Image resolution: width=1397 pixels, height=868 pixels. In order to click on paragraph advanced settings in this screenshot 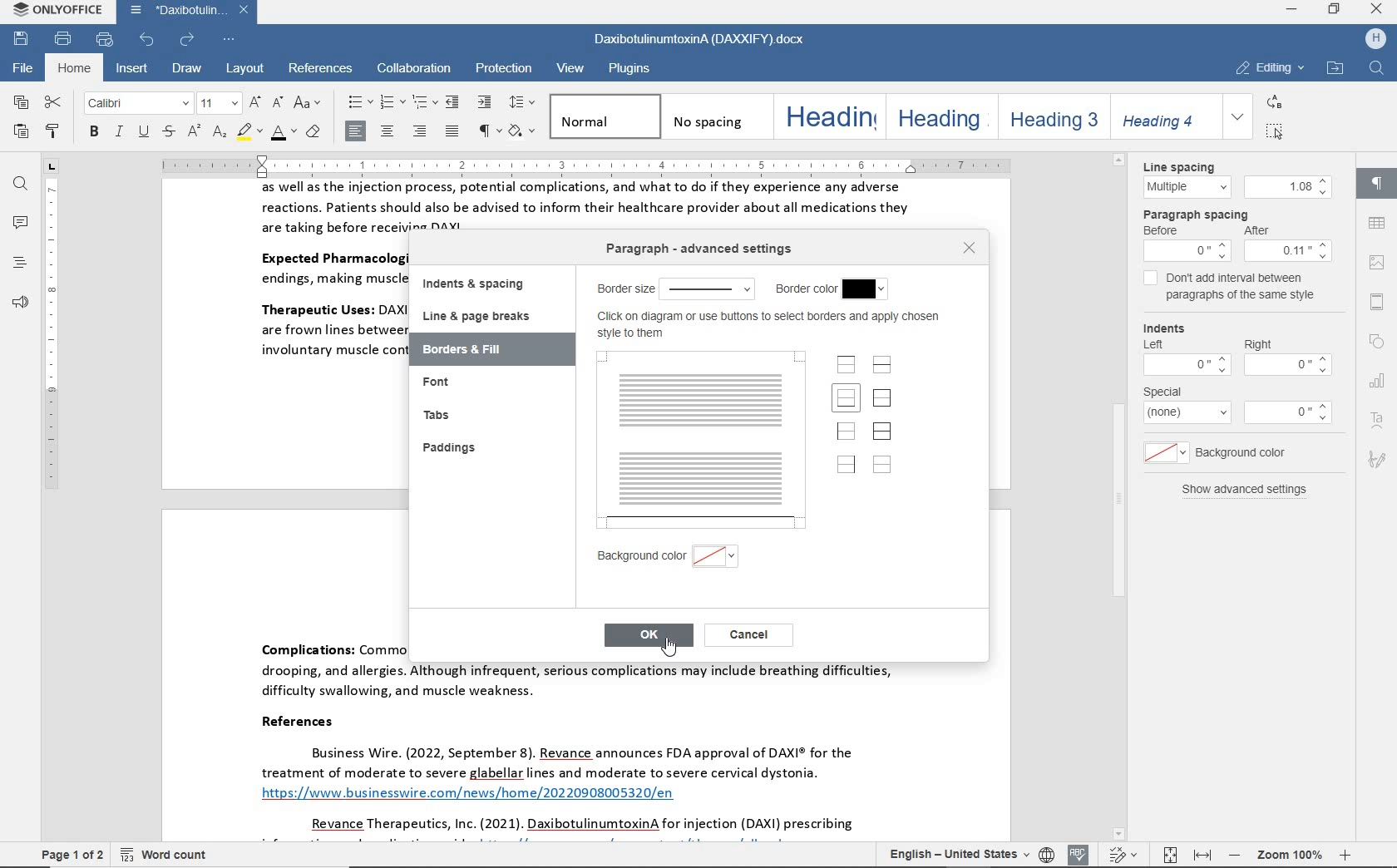, I will do `click(696, 248)`.